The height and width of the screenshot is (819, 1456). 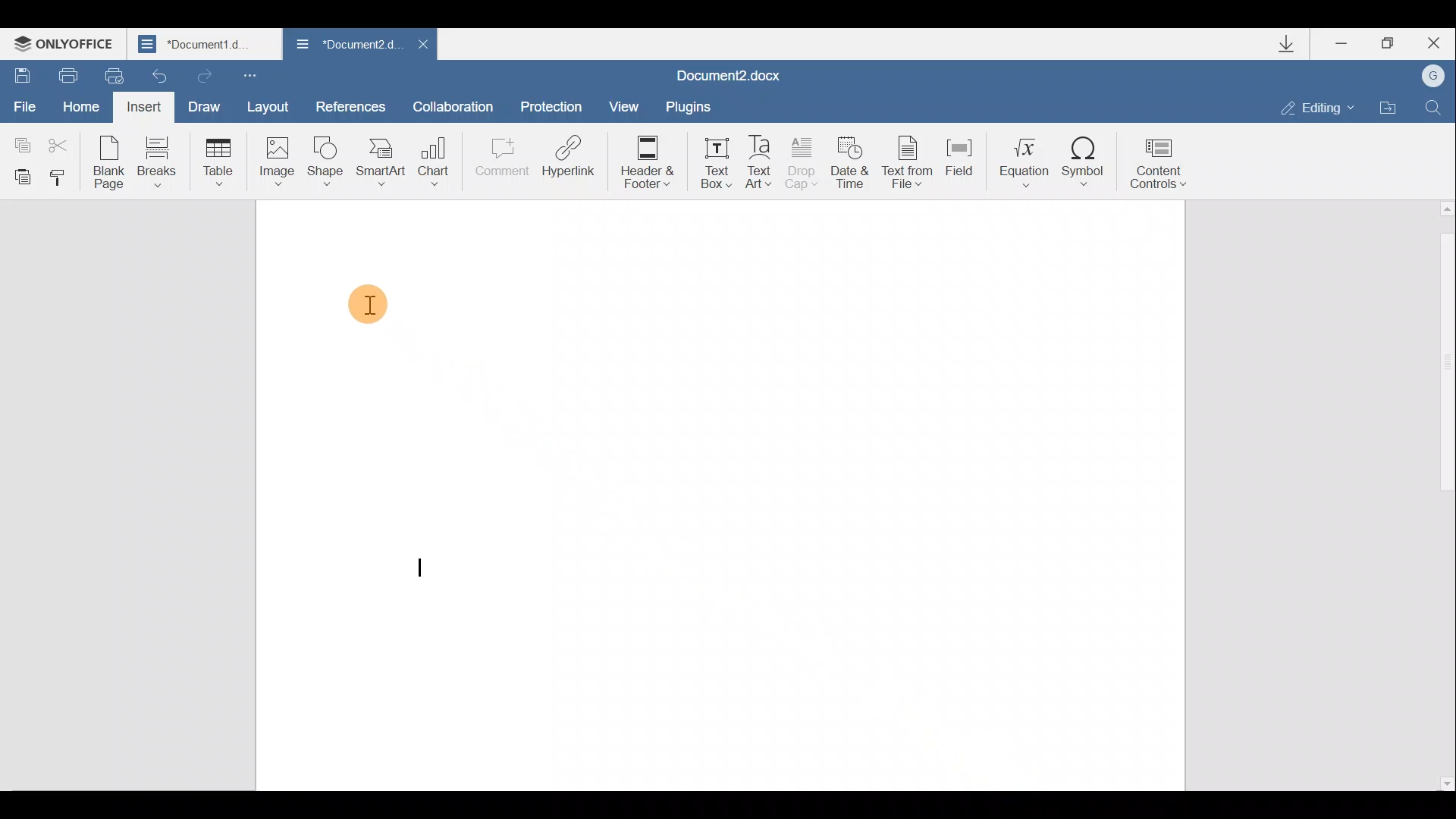 What do you see at coordinates (959, 163) in the screenshot?
I see `Field` at bounding box center [959, 163].